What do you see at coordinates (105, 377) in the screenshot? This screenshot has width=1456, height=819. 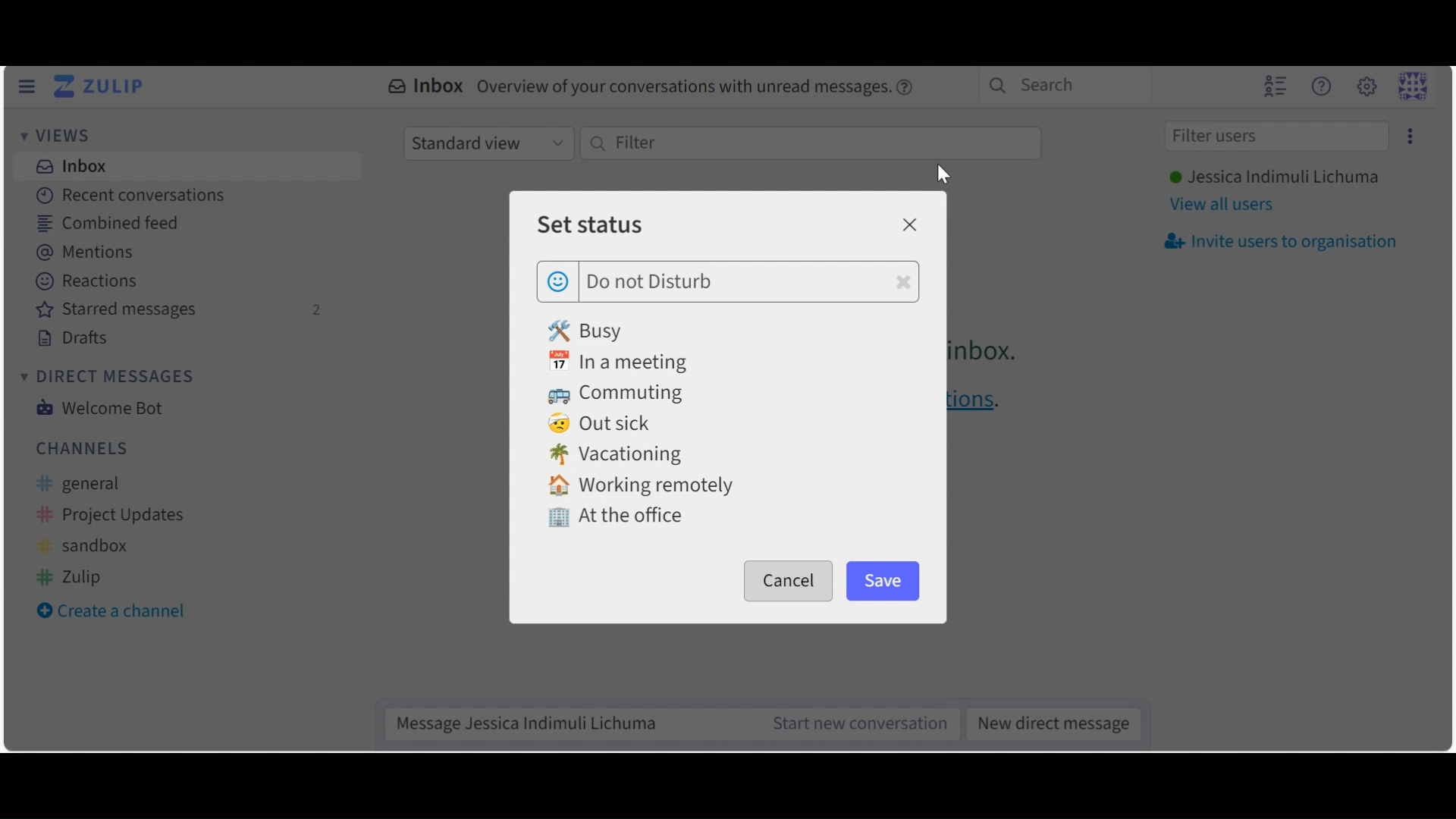 I see `Direct Messages` at bounding box center [105, 377].